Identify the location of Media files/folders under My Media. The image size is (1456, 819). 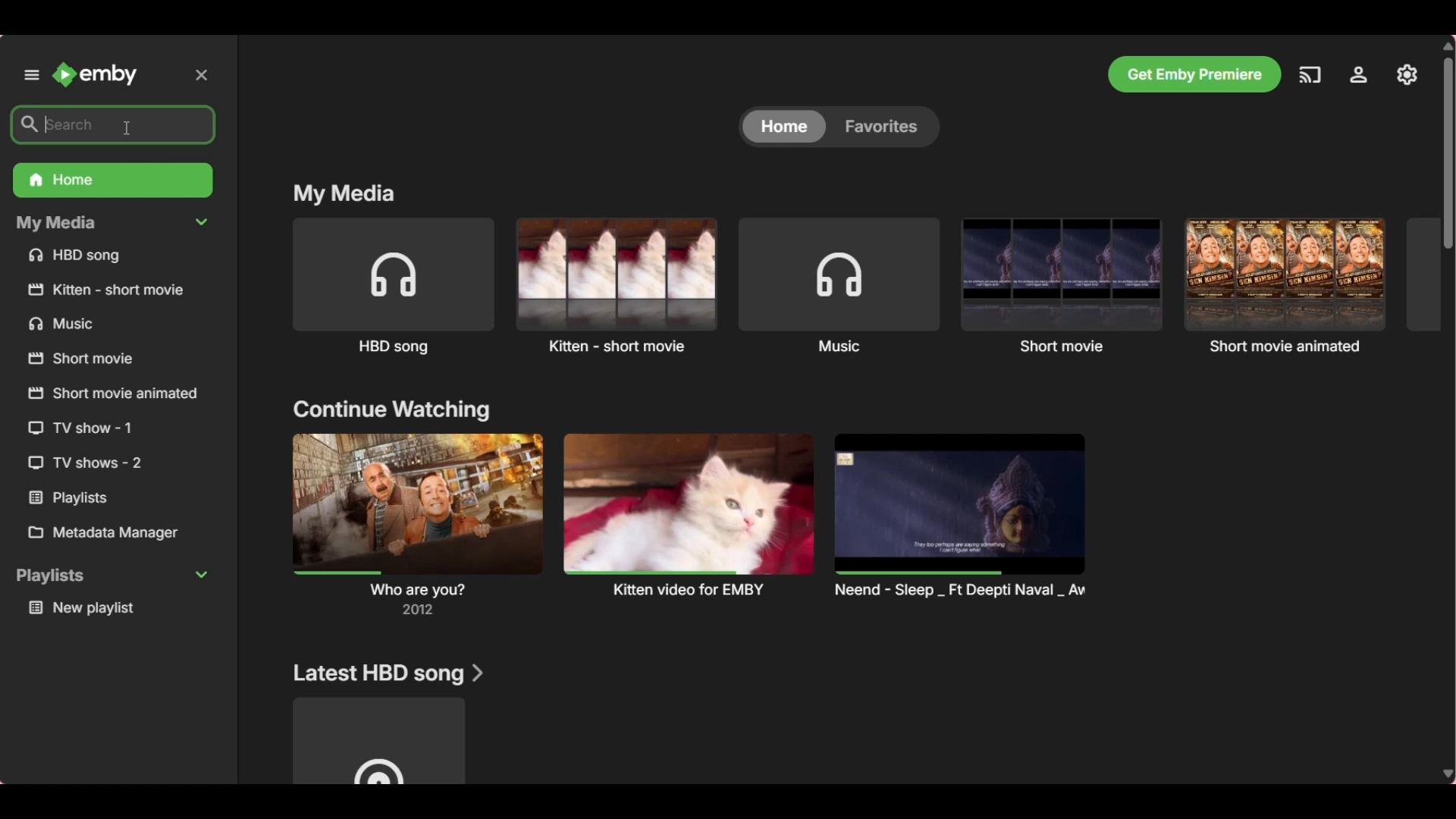
(114, 257).